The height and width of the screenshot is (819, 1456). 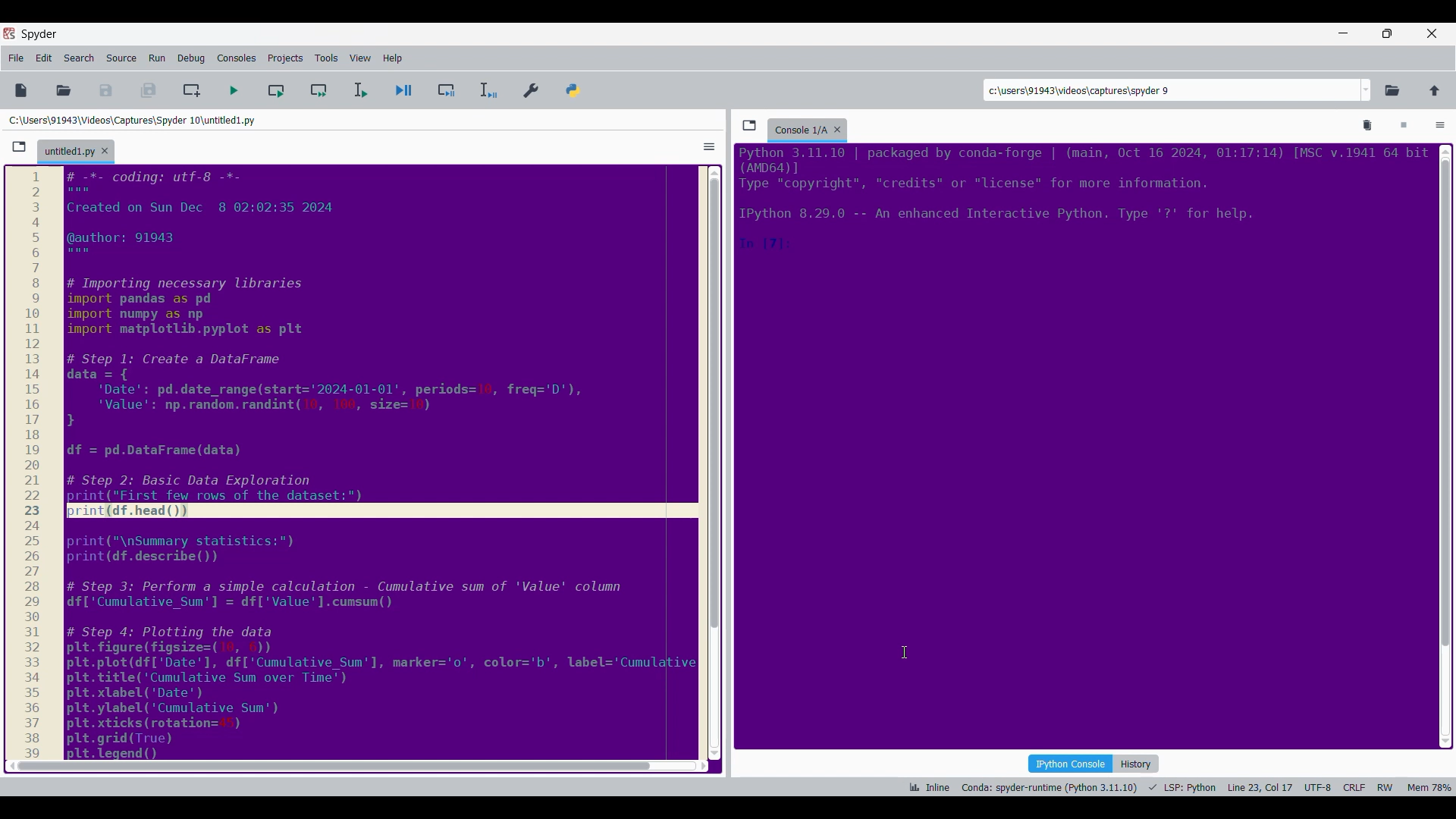 What do you see at coordinates (1435, 90) in the screenshot?
I see `Change to parent directory` at bounding box center [1435, 90].